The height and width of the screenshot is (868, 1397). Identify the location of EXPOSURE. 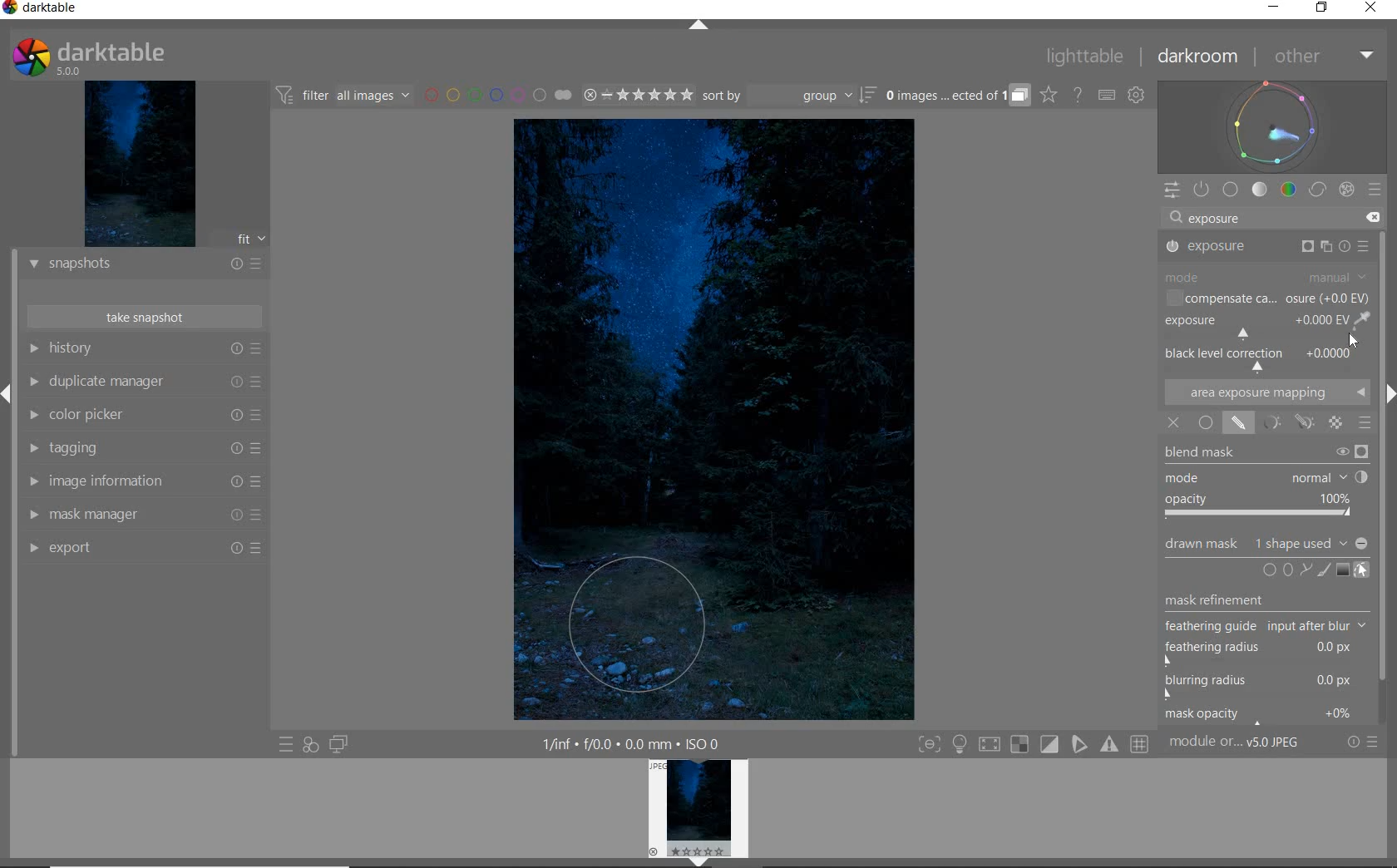
(1270, 246).